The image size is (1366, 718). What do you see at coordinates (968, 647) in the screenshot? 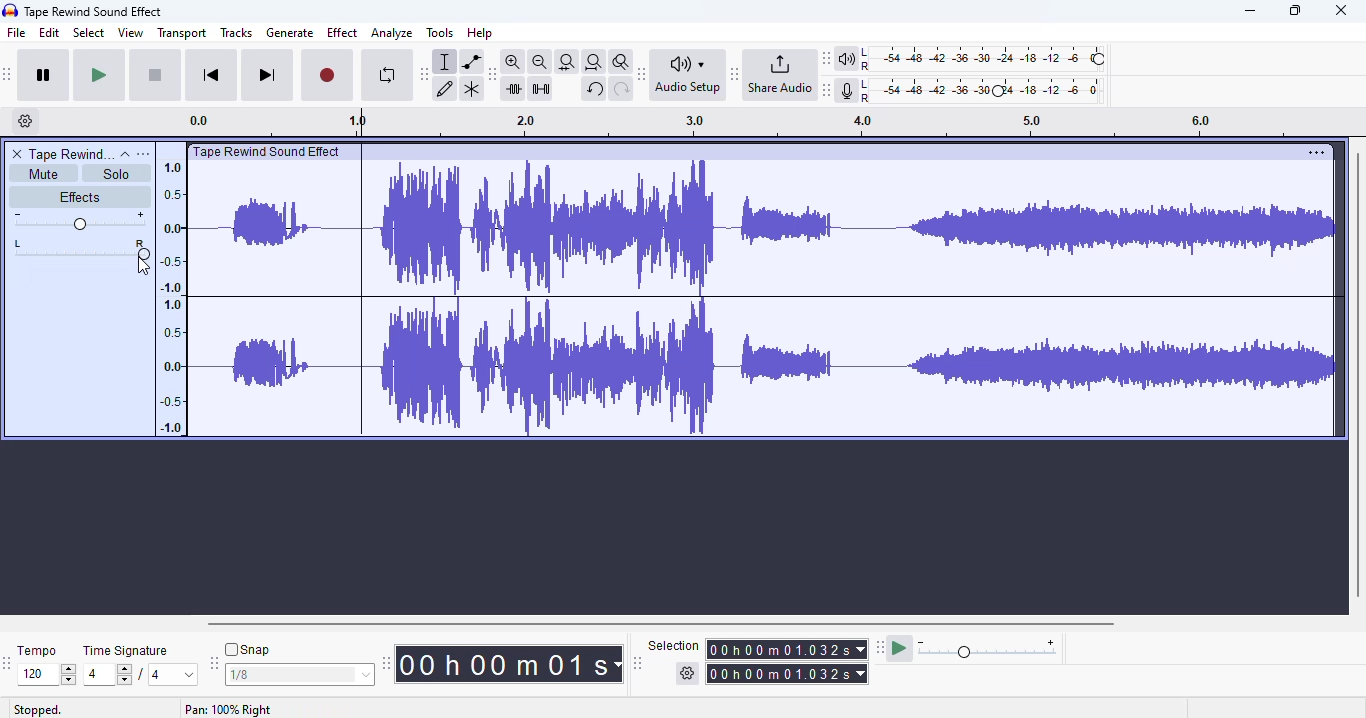
I see `audacity play-at-speed toolbar` at bounding box center [968, 647].